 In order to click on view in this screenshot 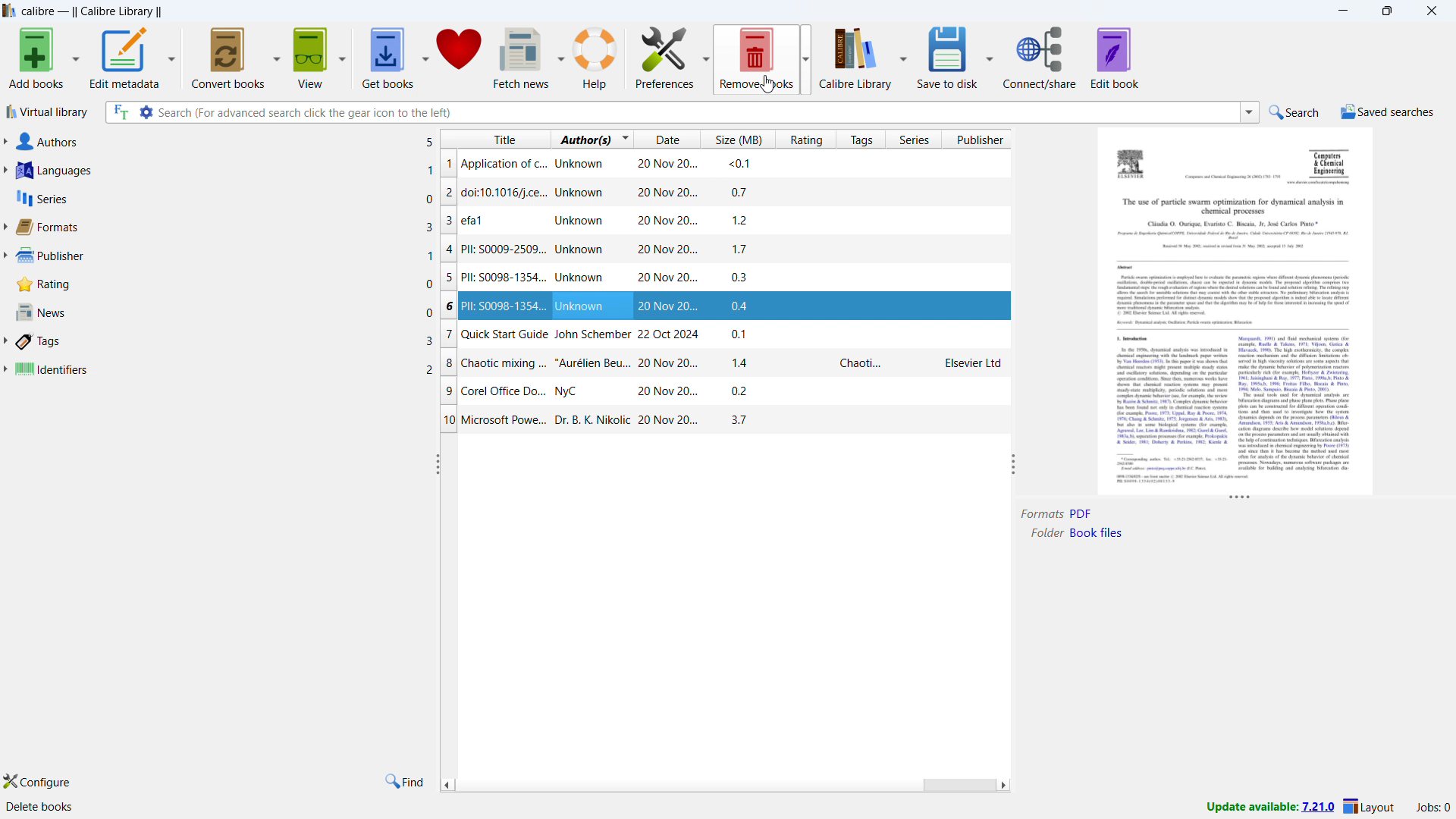, I will do `click(312, 56)`.